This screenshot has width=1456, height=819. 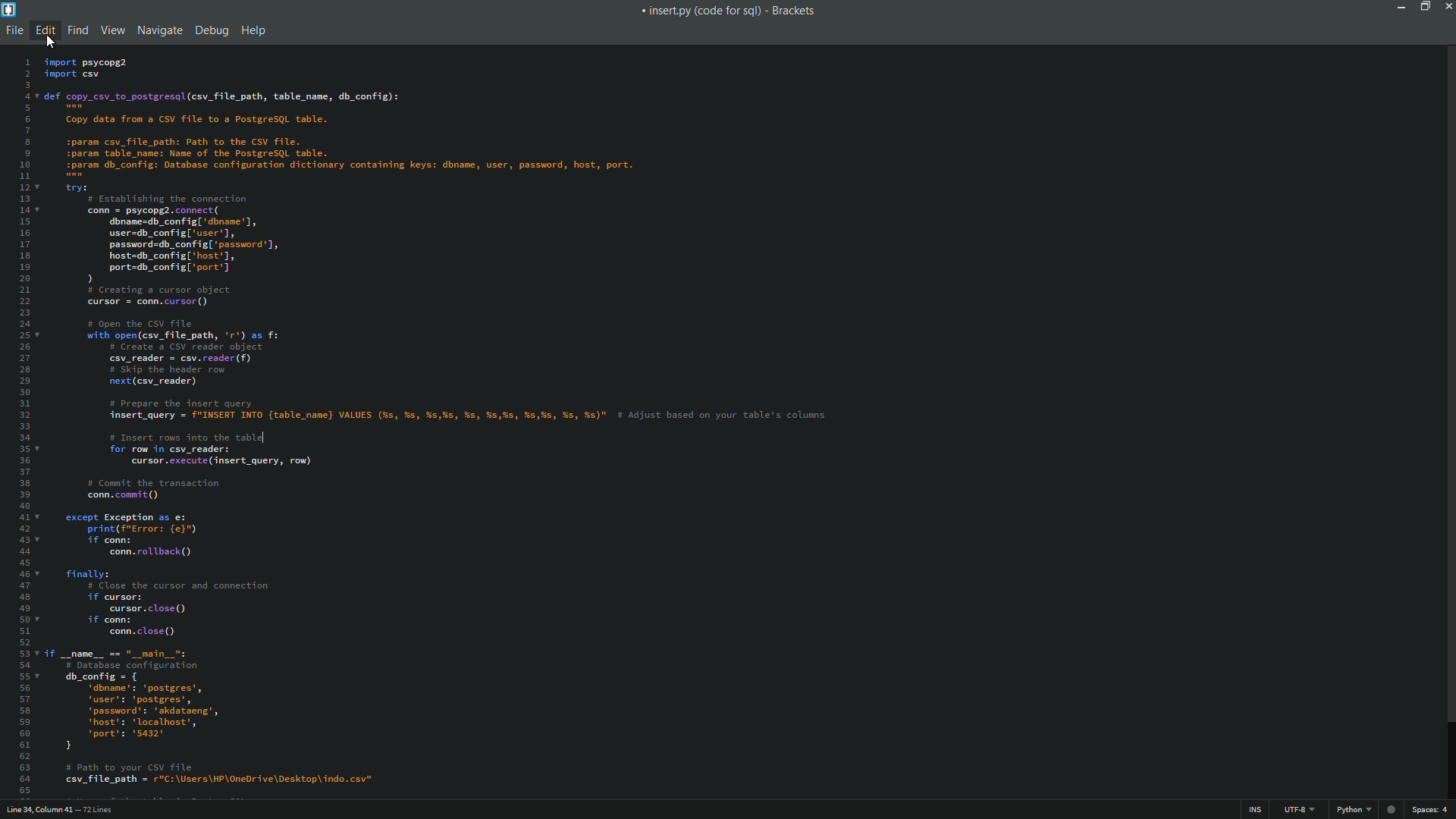 What do you see at coordinates (210, 31) in the screenshot?
I see `debug menu` at bounding box center [210, 31].